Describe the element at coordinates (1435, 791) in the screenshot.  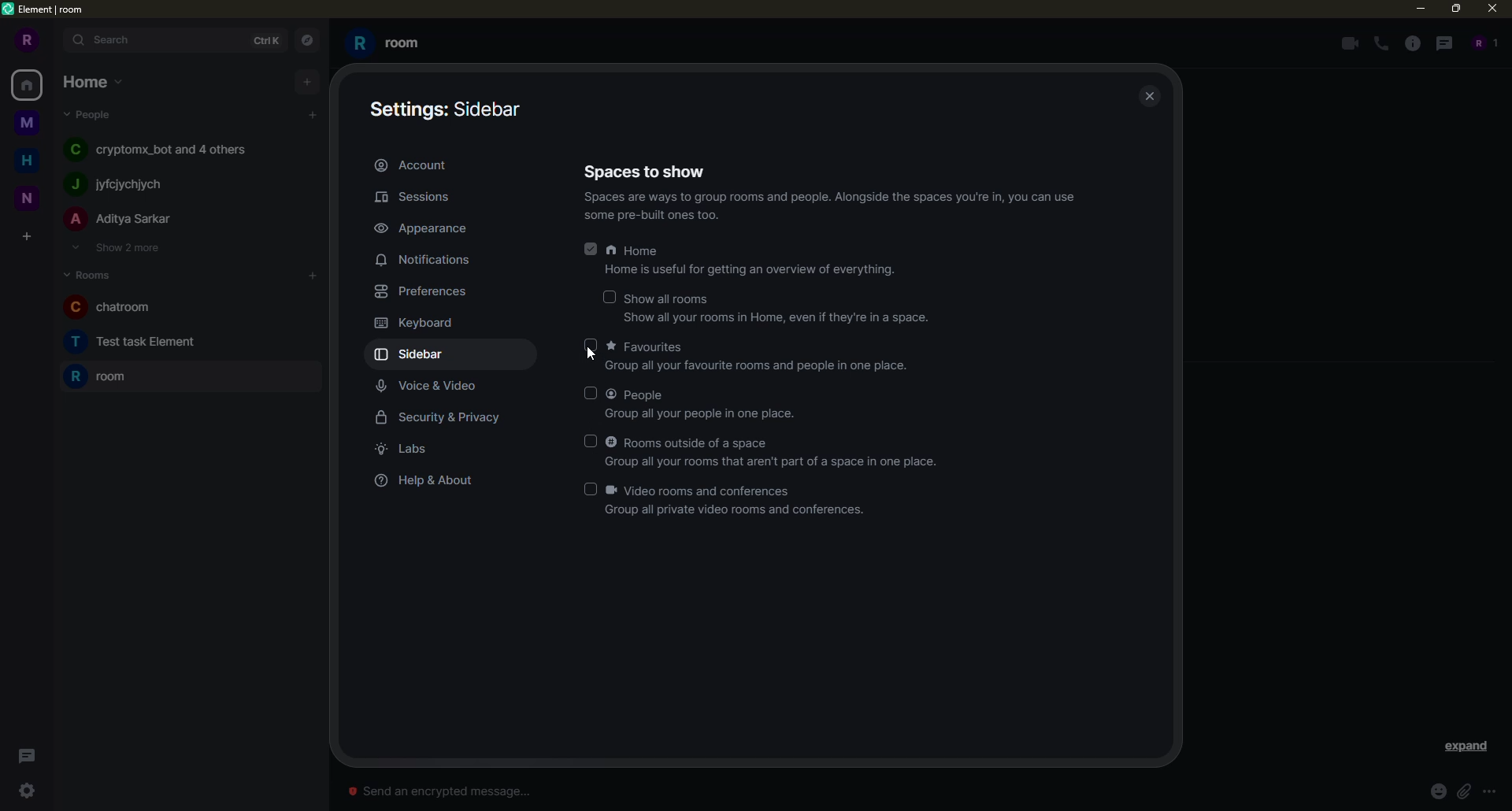
I see `emoji` at that location.